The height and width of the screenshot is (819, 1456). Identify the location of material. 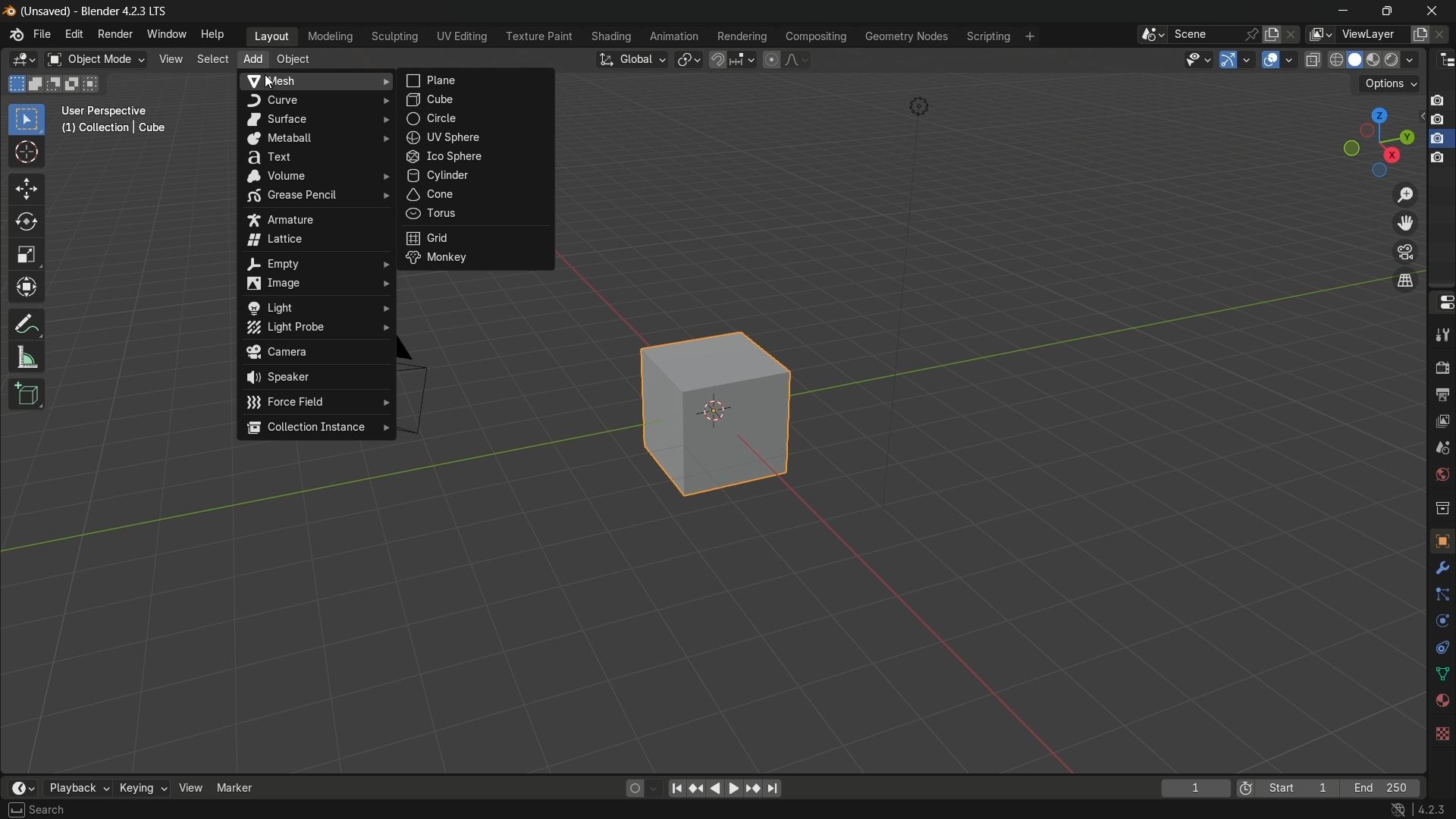
(1442, 699).